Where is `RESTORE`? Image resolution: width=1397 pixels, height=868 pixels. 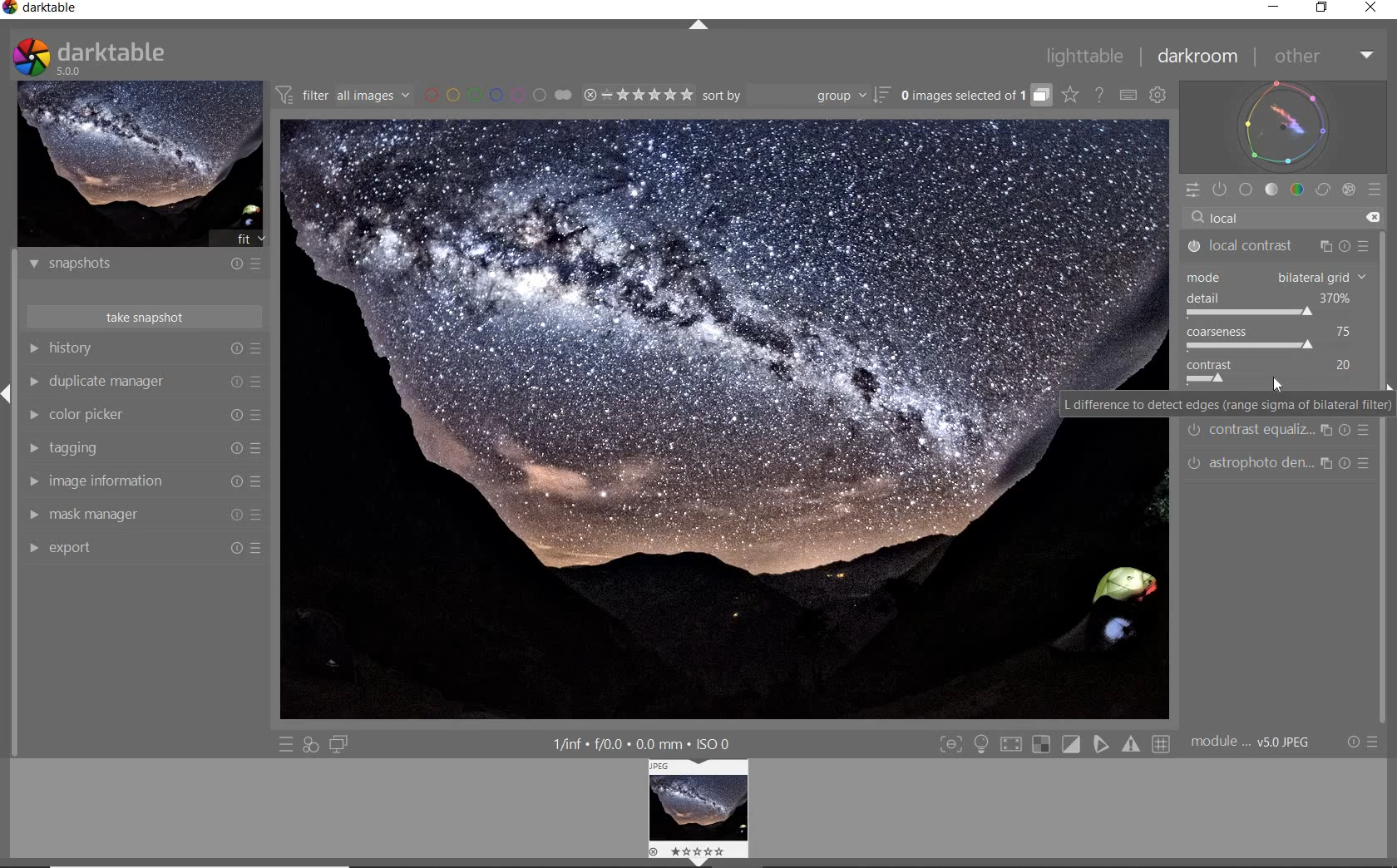
RESTORE is located at coordinates (1323, 8).